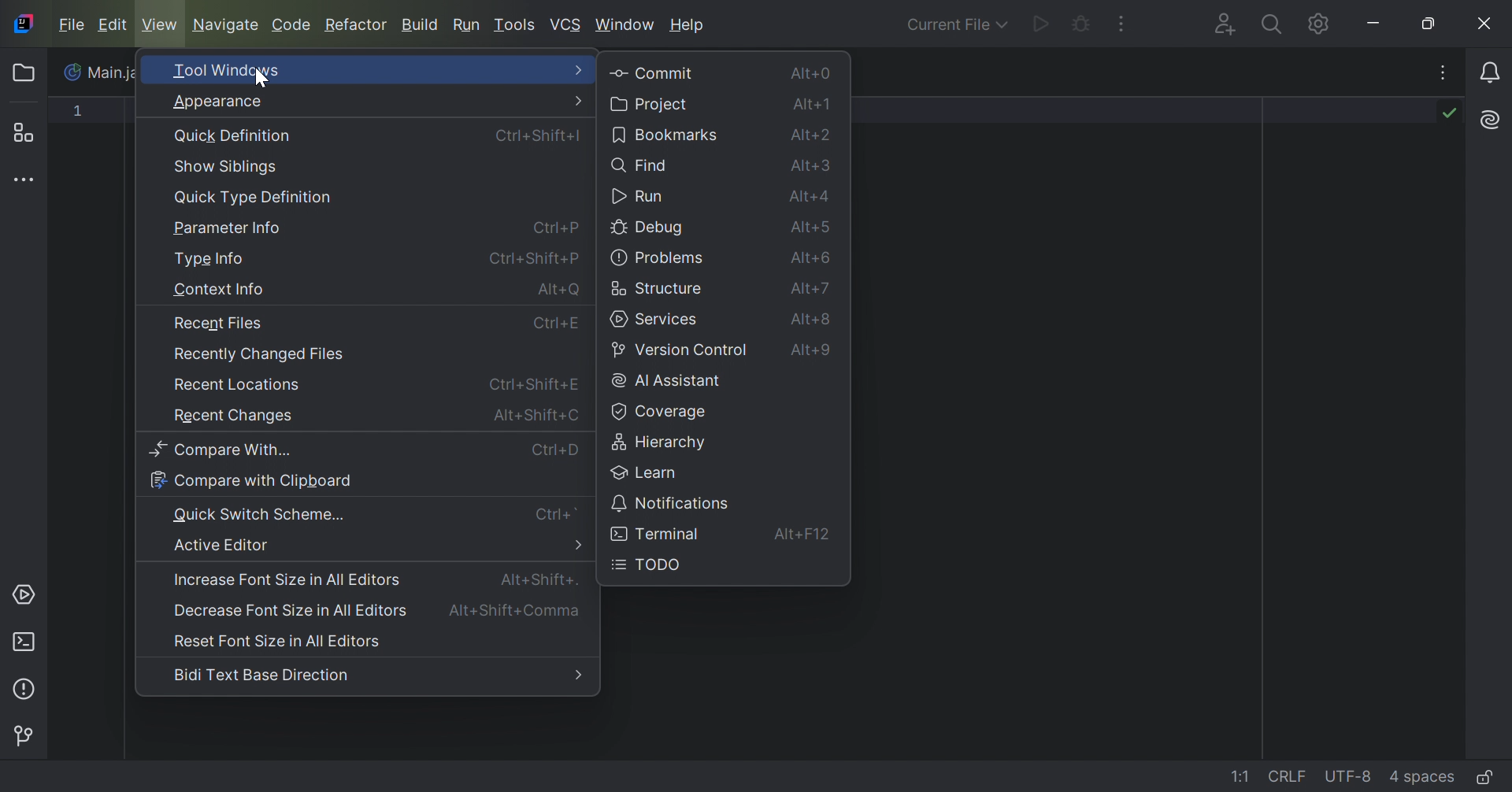 Image resolution: width=1512 pixels, height=792 pixels. I want to click on Recent Changes, so click(232, 418).